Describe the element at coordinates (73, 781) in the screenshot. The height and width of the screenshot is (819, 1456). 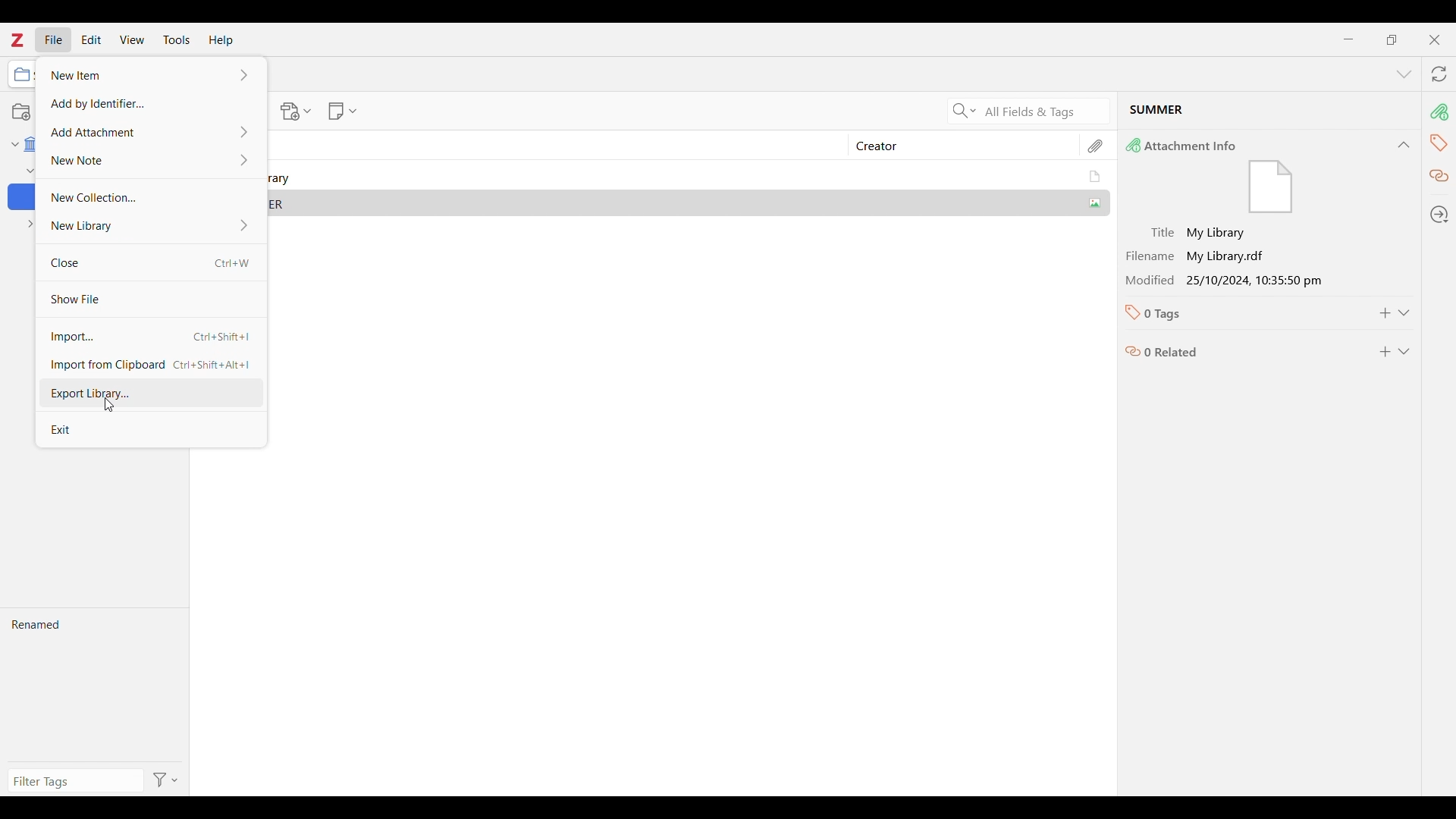
I see `Type filter tag` at that location.